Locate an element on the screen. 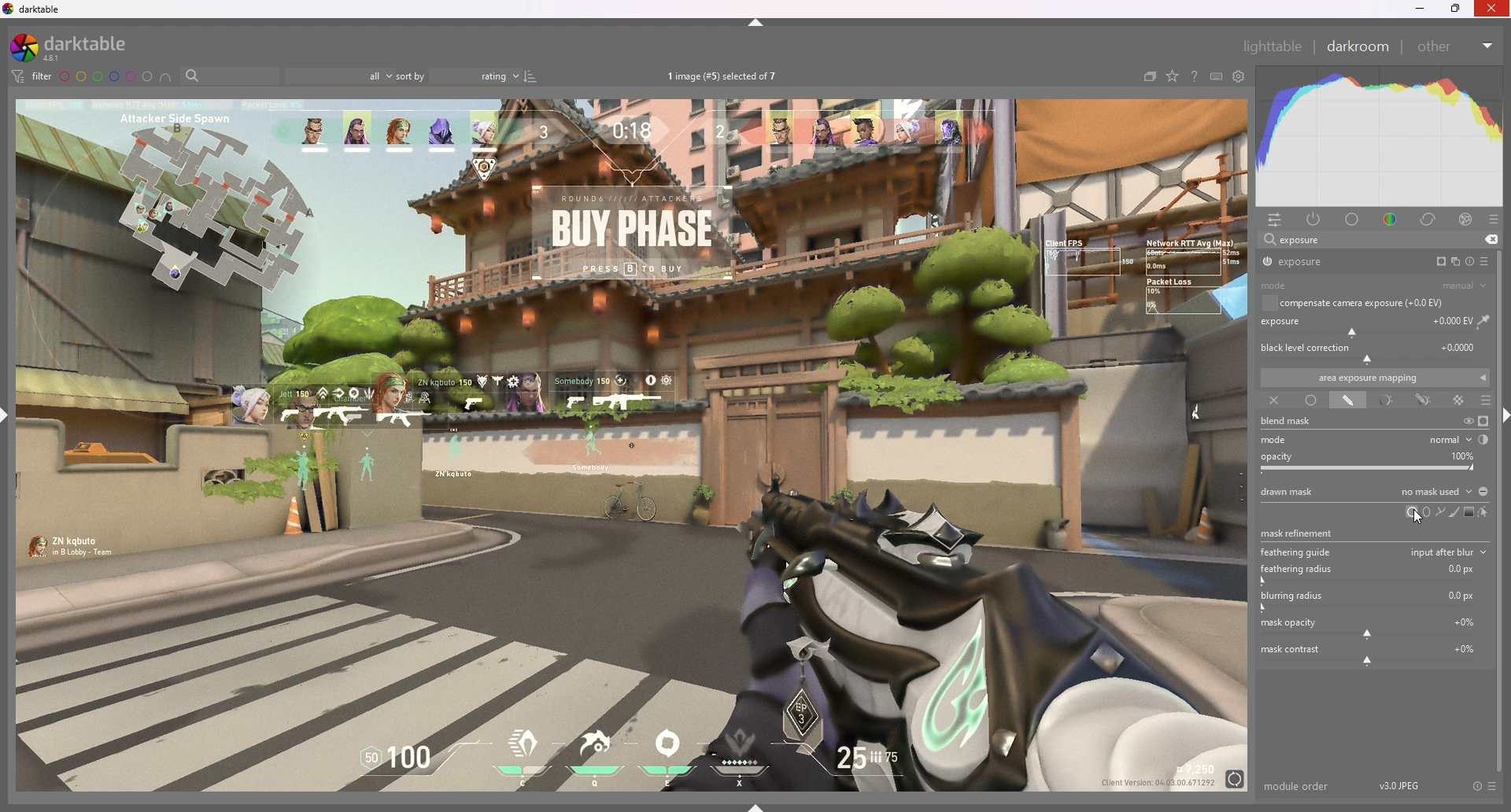 This screenshot has width=1511, height=812. module order is located at coordinates (1298, 786).